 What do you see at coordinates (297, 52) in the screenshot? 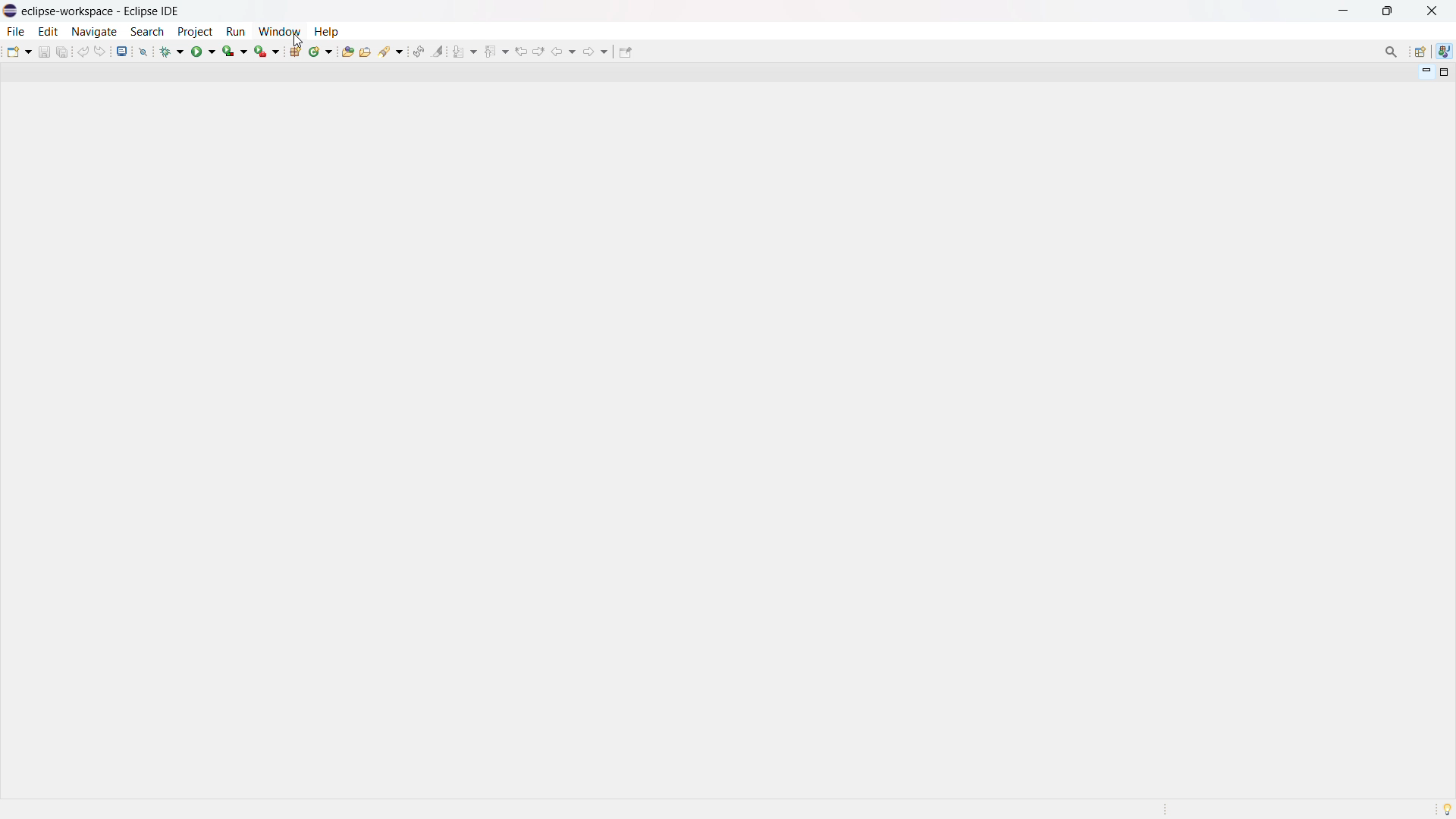
I see `new java project` at bounding box center [297, 52].